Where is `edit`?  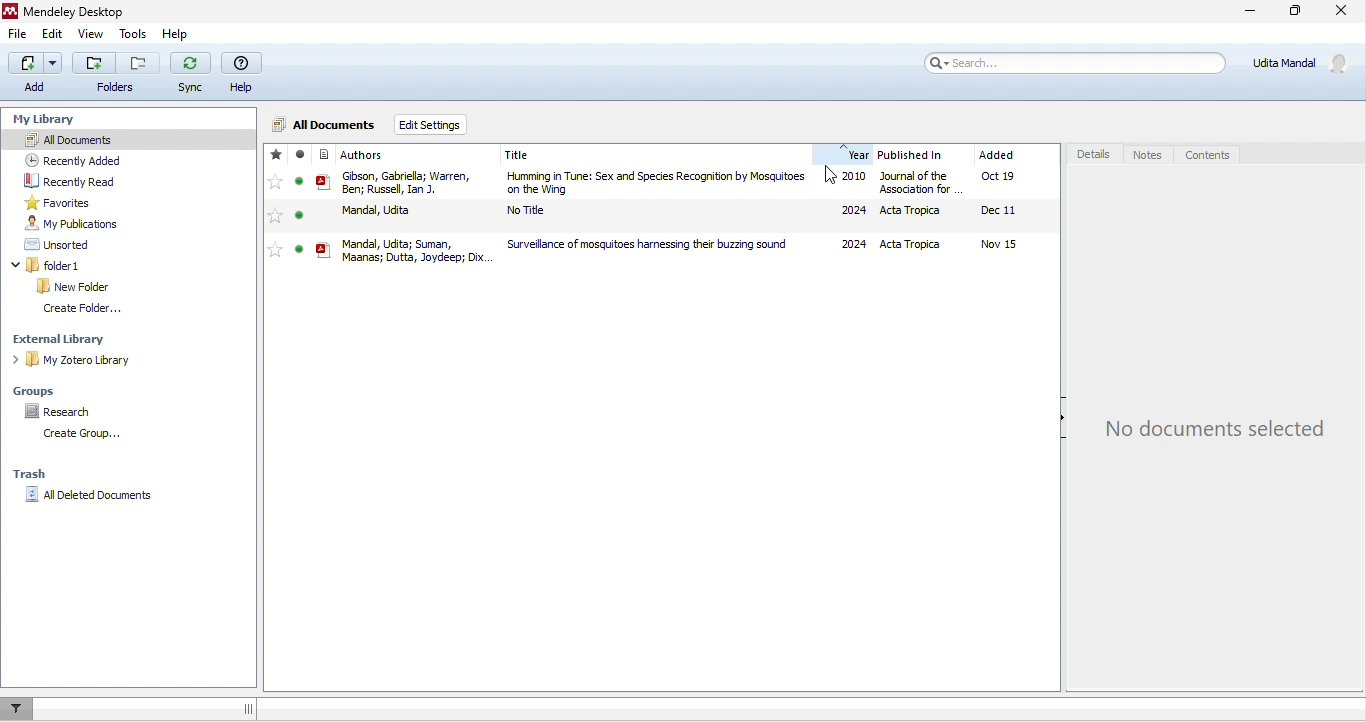 edit is located at coordinates (50, 35).